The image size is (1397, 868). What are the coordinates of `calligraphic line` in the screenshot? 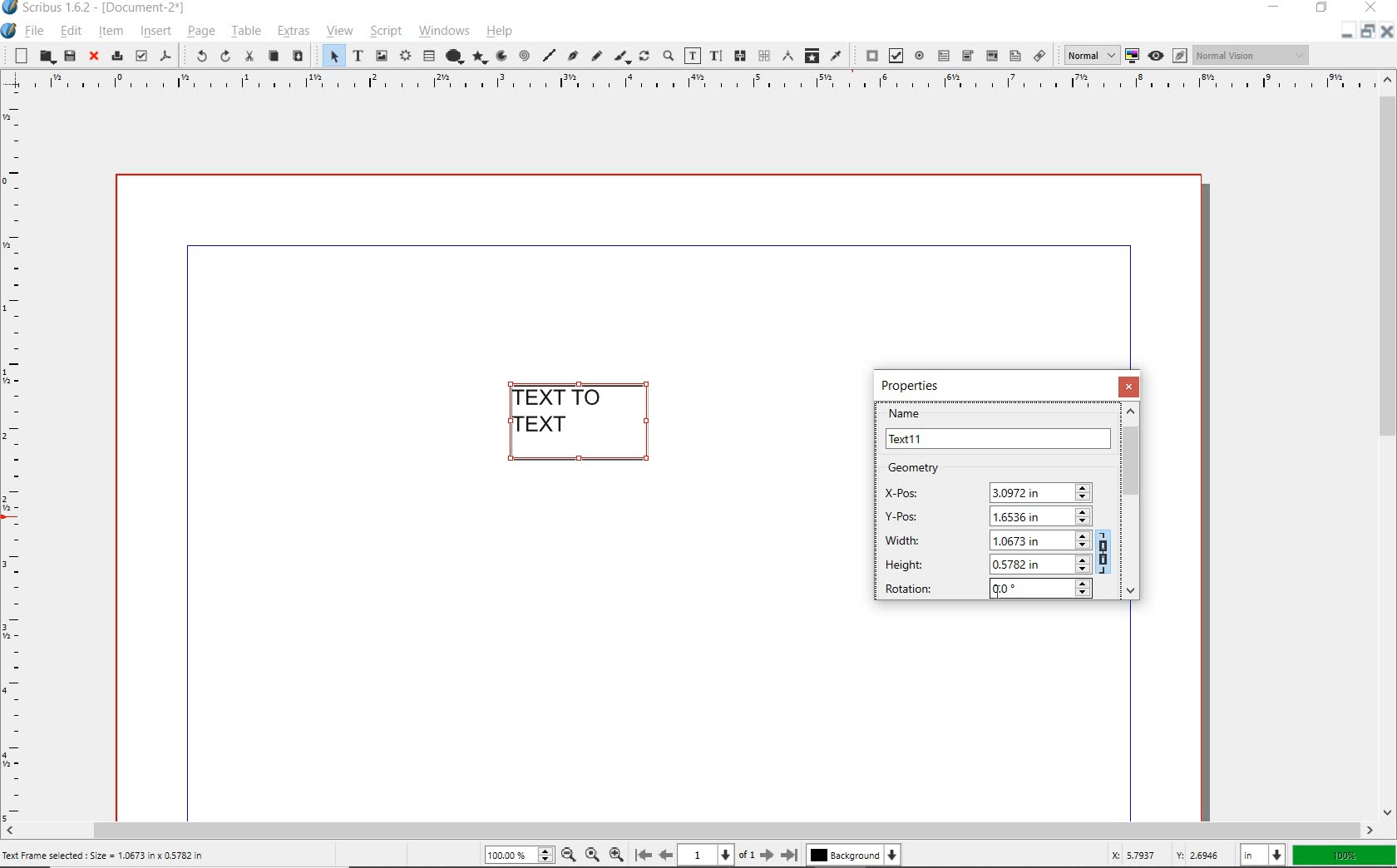 It's located at (623, 56).